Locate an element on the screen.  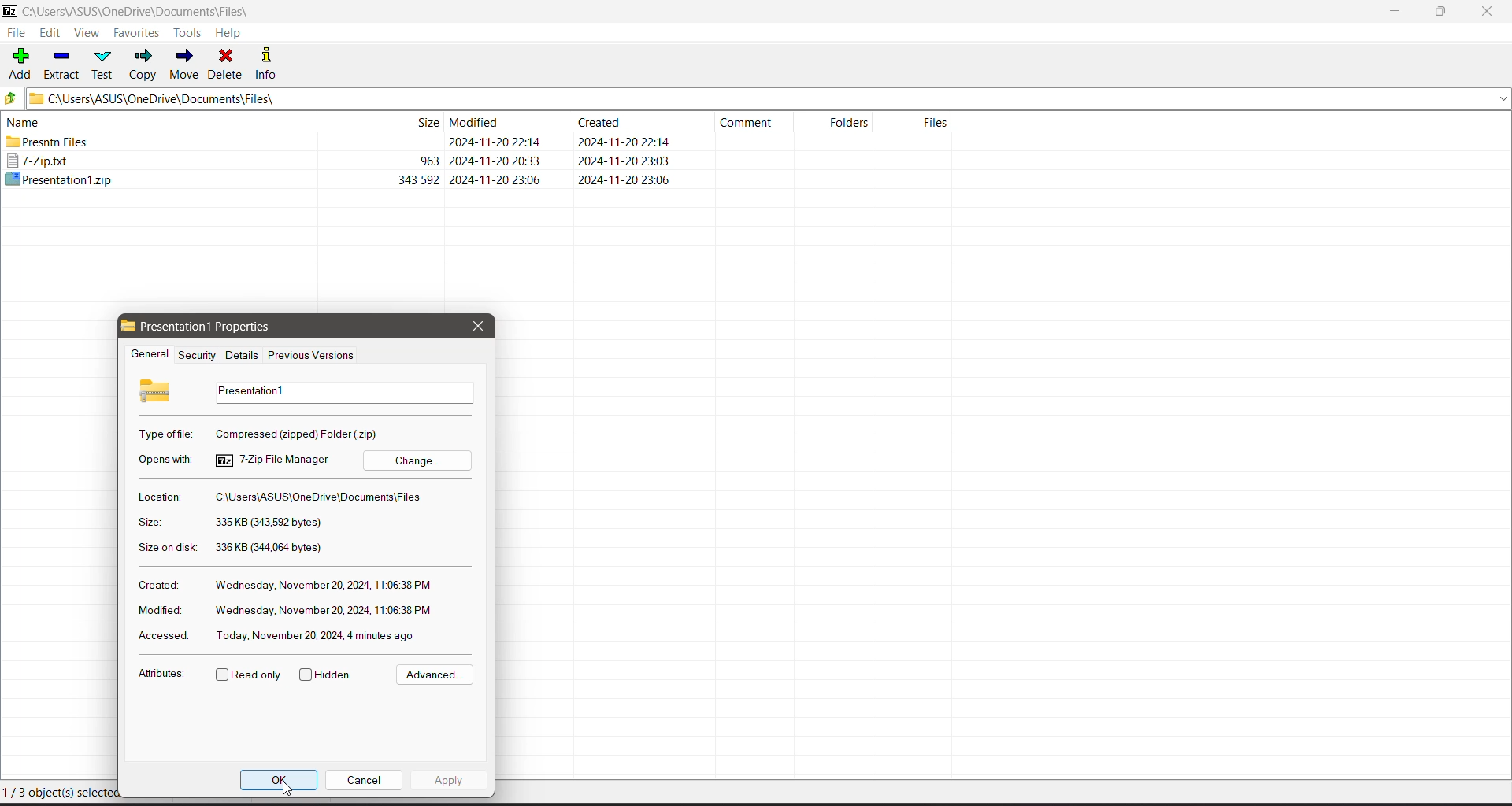
cursor is located at coordinates (289, 790).